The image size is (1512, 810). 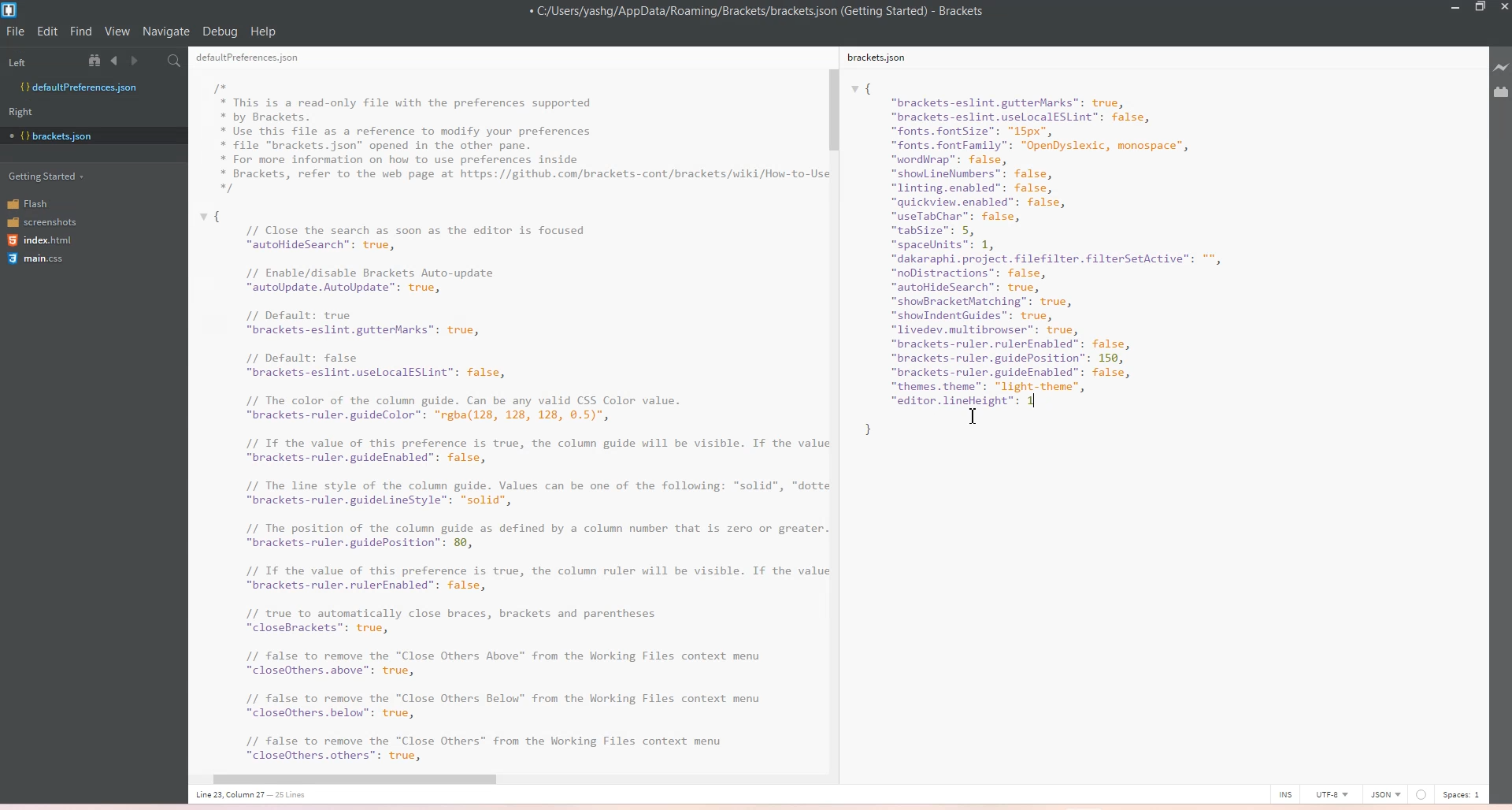 I want to click on Find in Files, so click(x=176, y=61).